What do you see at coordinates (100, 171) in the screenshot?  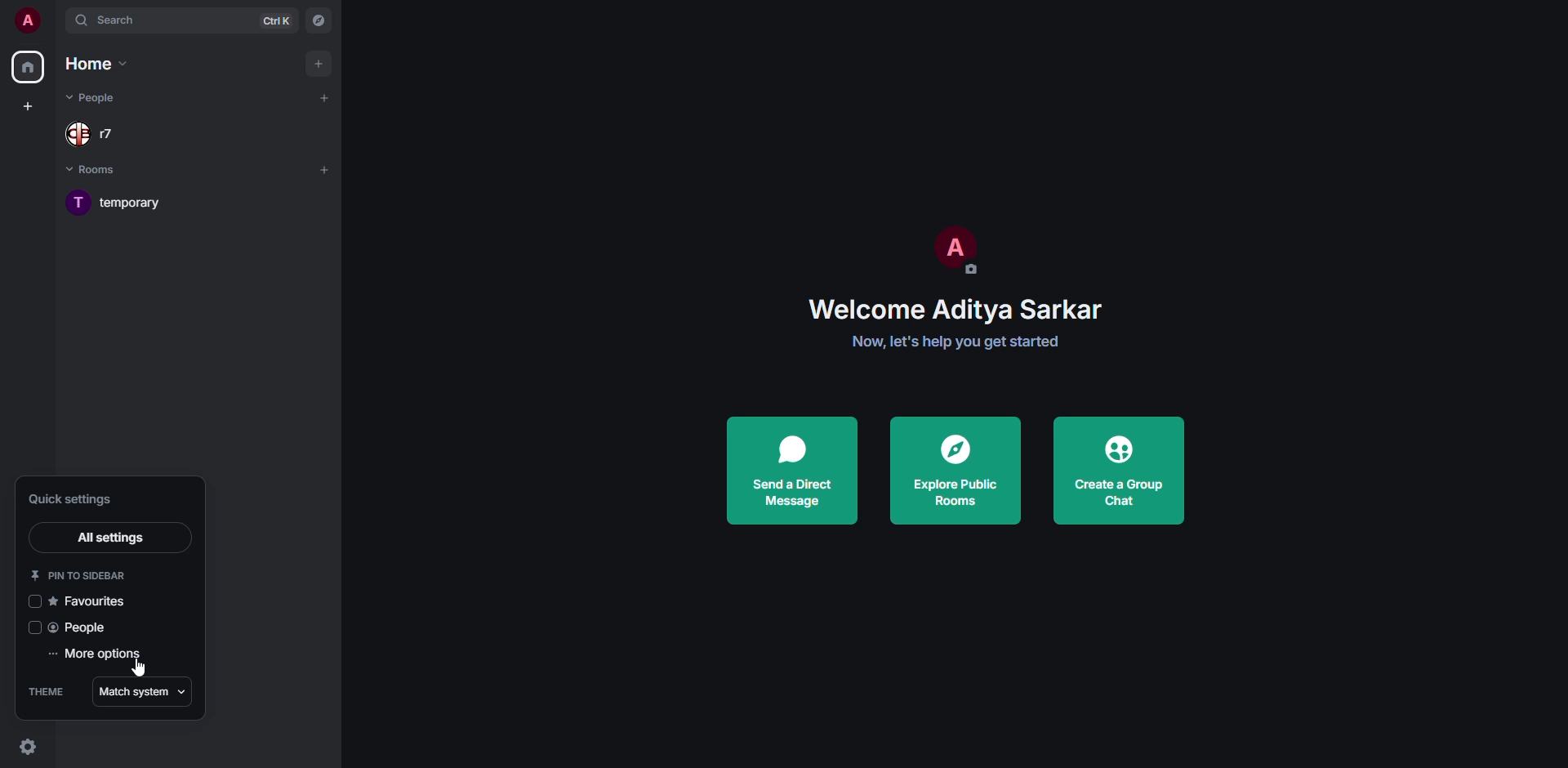 I see `rooms` at bounding box center [100, 171].